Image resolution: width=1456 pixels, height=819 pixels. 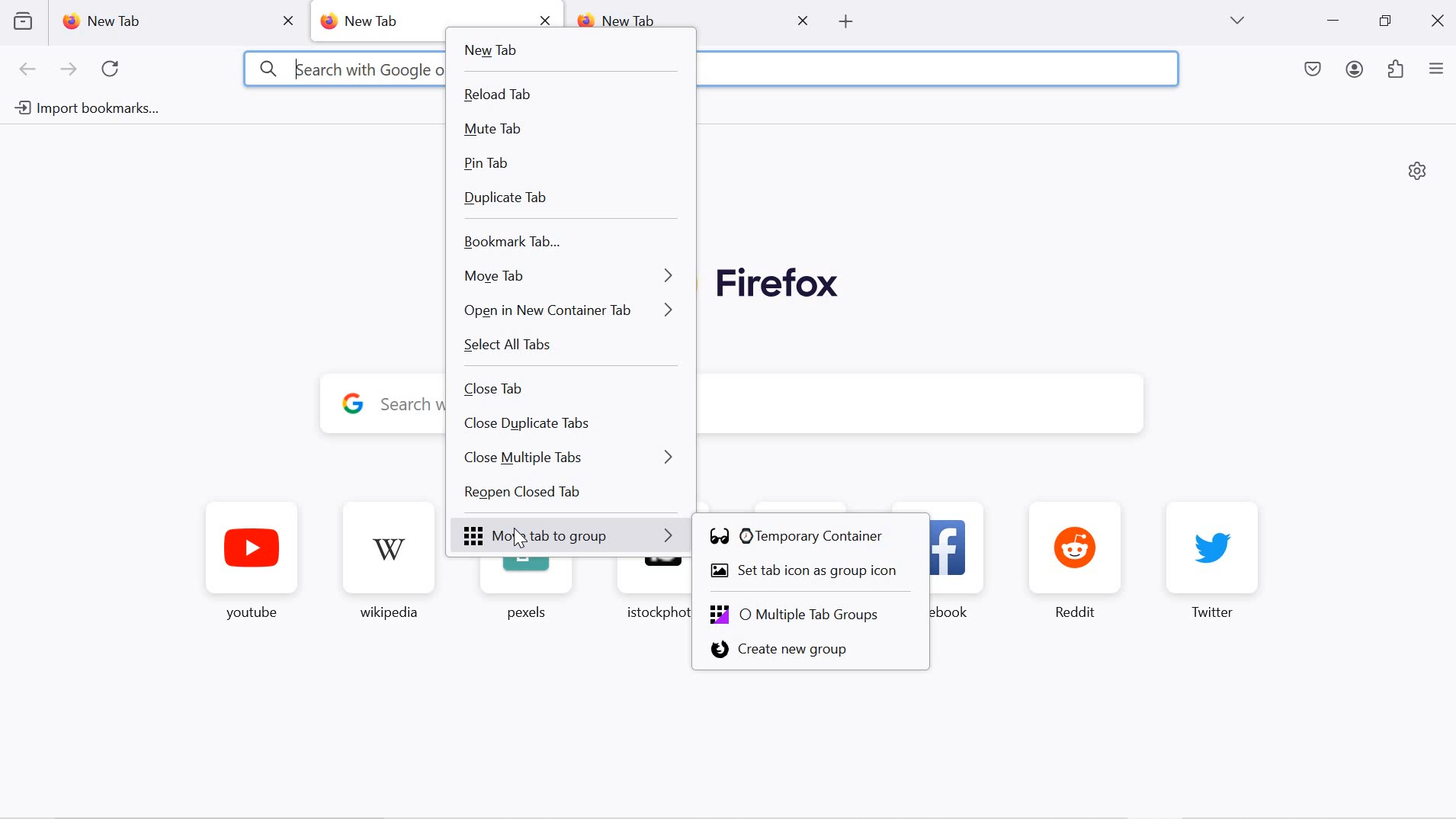 I want to click on personalize new tab, so click(x=1418, y=170).